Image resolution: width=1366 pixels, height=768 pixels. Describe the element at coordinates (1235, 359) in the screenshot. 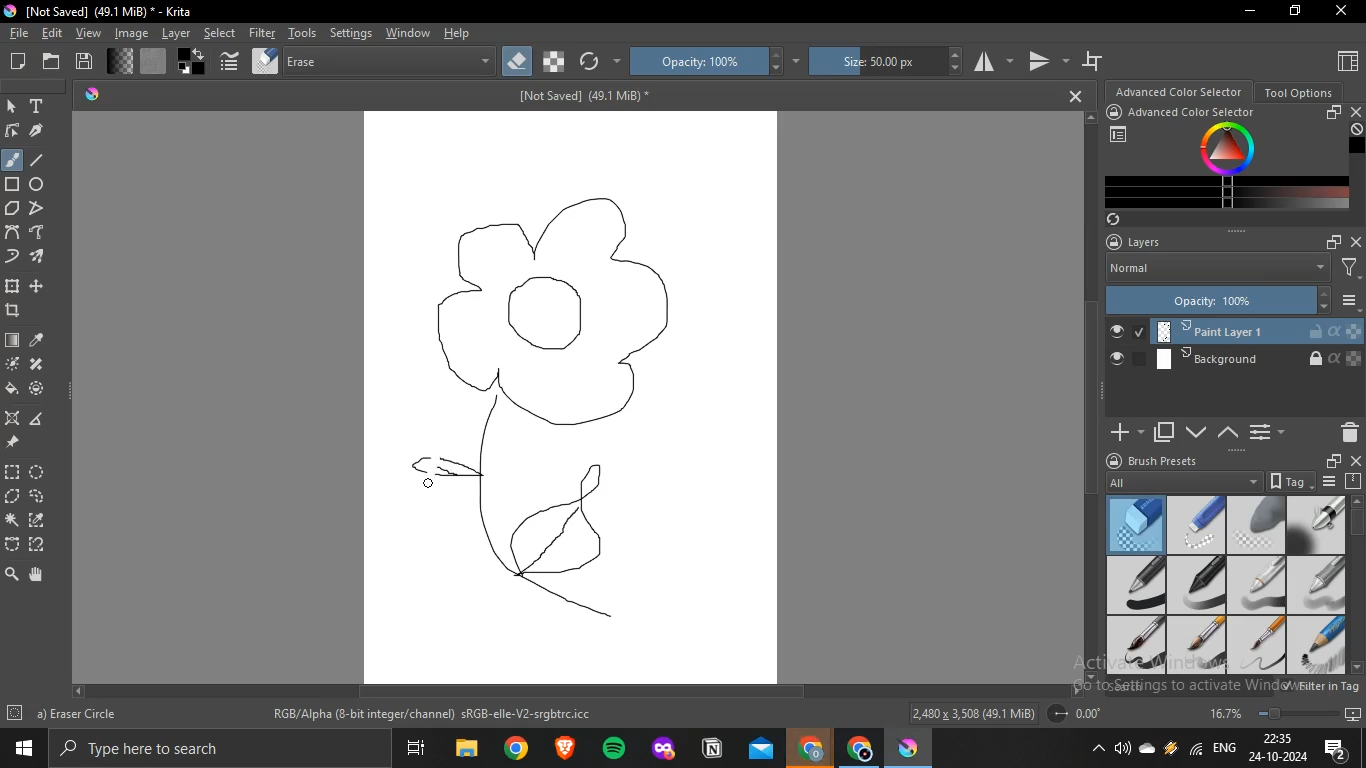

I see `Background` at that location.